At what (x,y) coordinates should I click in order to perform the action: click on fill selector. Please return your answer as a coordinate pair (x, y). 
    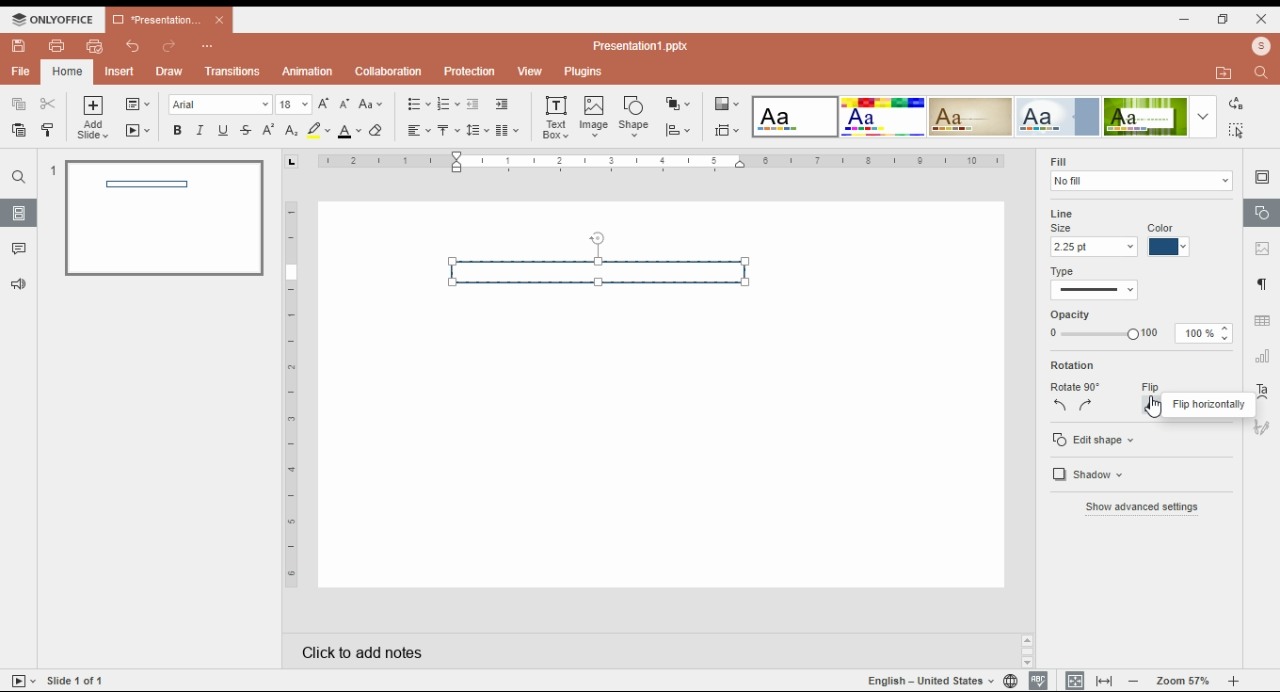
    Looking at the image, I should click on (1142, 181).